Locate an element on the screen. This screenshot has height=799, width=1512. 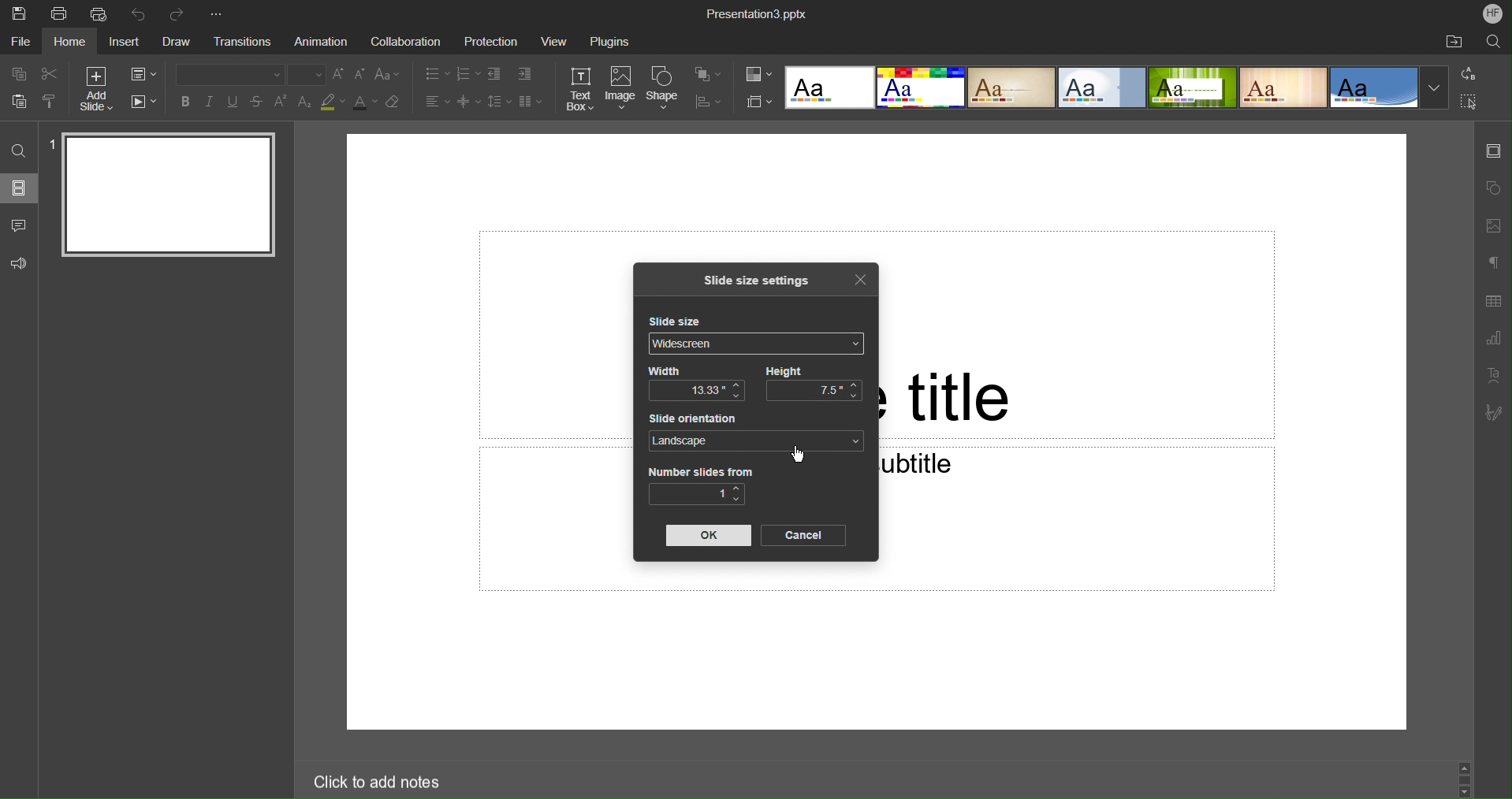
Slide size is located at coordinates (681, 322).